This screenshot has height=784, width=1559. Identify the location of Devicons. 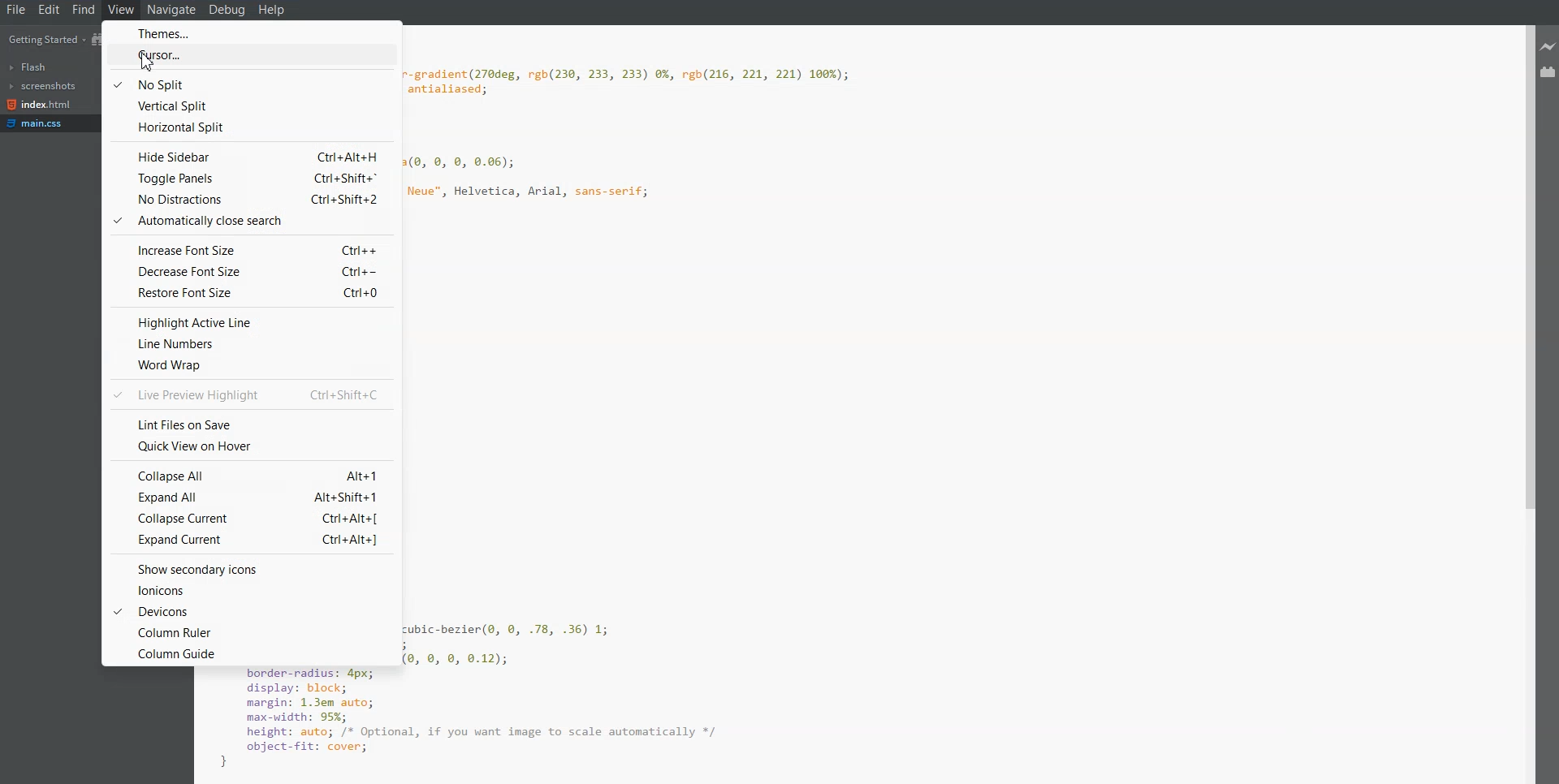
(251, 610).